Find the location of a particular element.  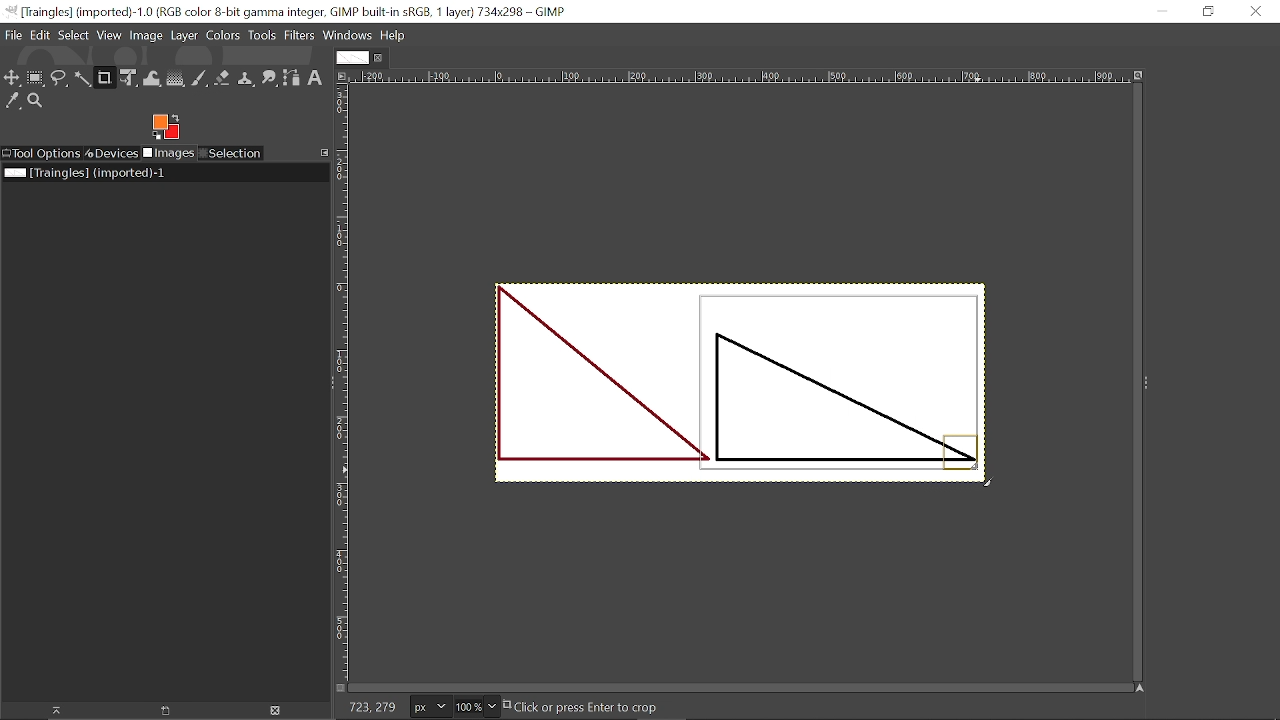

Unified transform tool is located at coordinates (130, 78).